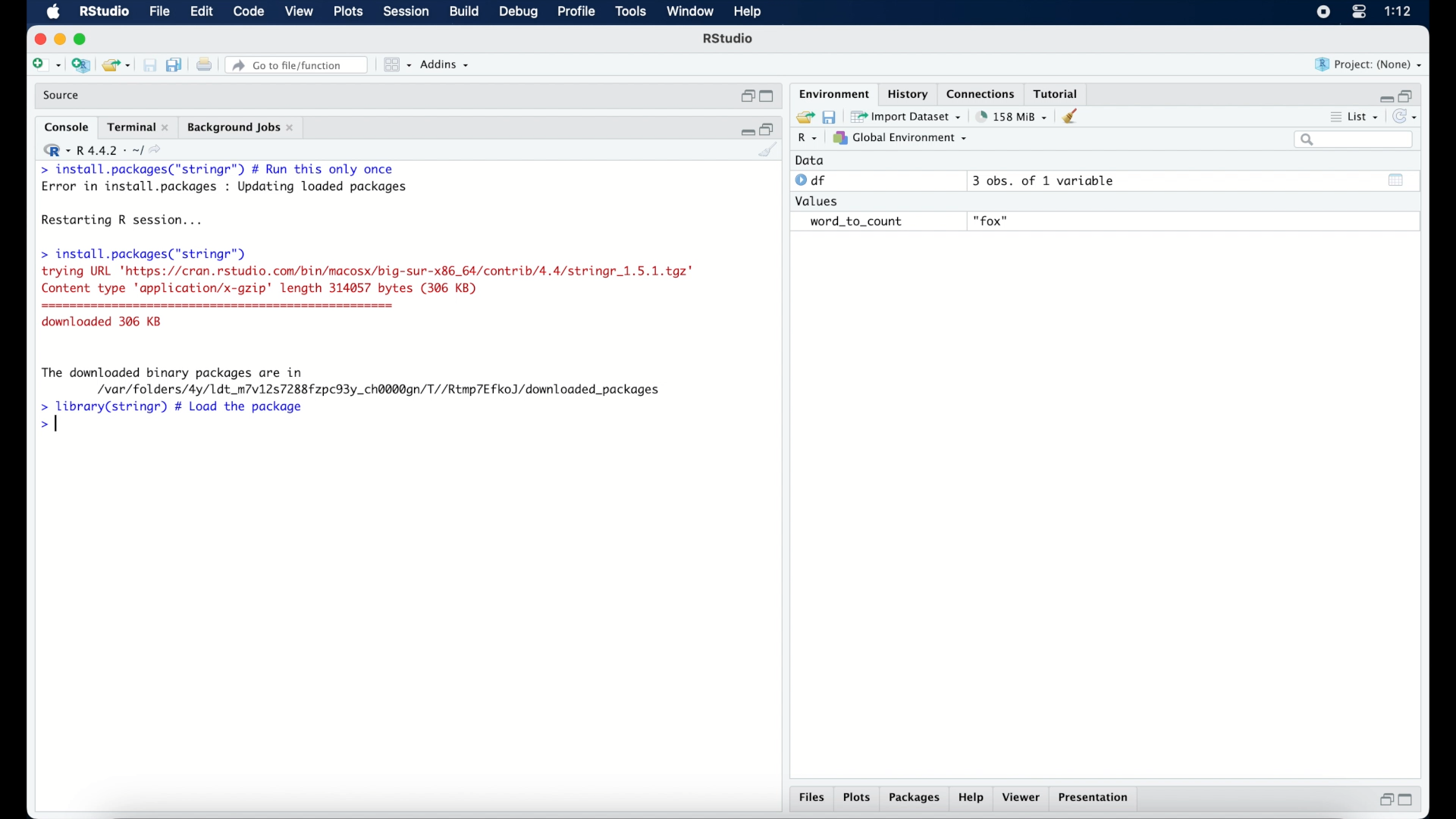 Image resolution: width=1456 pixels, height=819 pixels. What do you see at coordinates (1323, 13) in the screenshot?
I see `screen recorder` at bounding box center [1323, 13].